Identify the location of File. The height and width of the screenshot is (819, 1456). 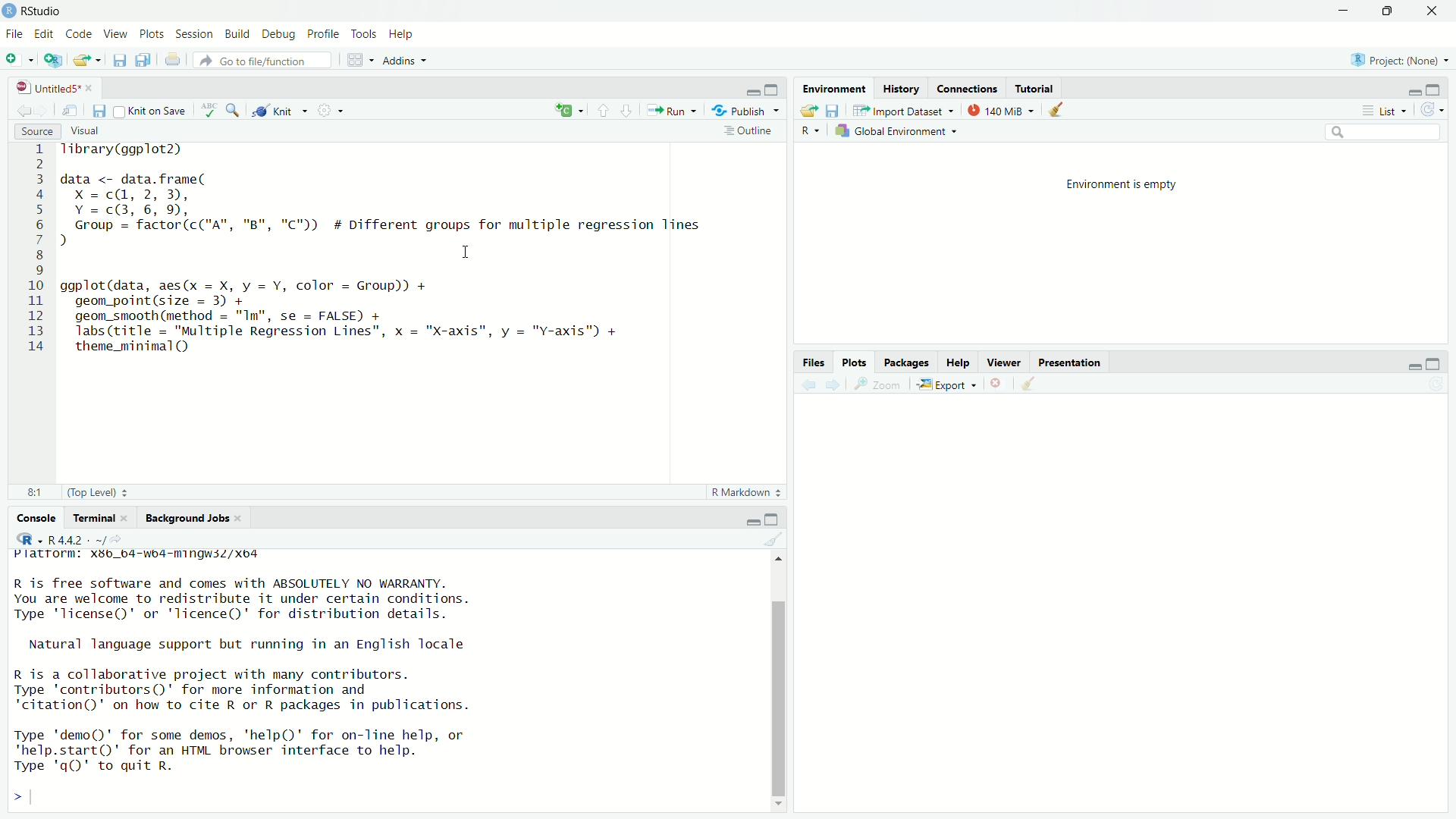
(17, 34).